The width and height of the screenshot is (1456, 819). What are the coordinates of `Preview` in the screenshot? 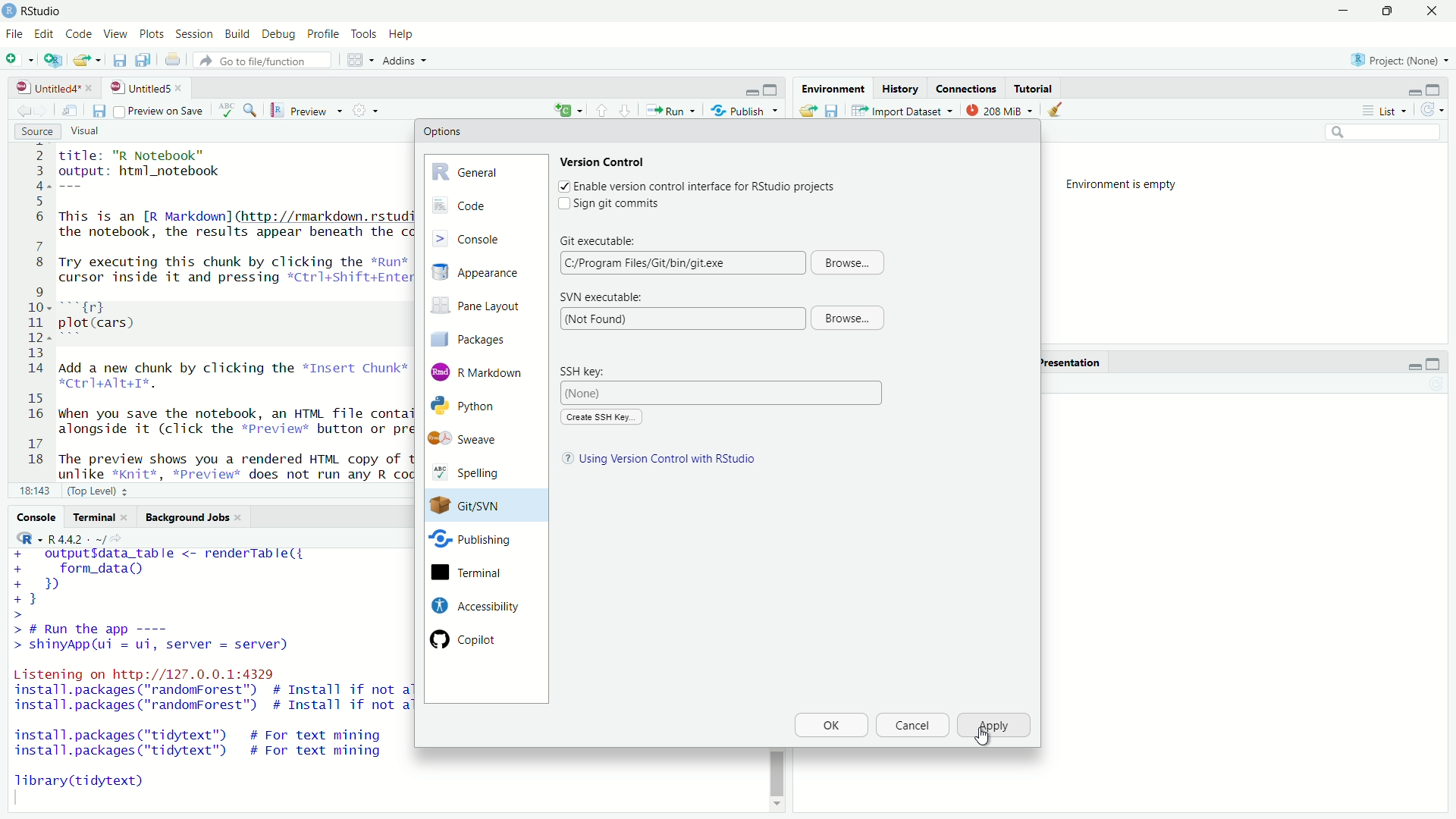 It's located at (307, 111).